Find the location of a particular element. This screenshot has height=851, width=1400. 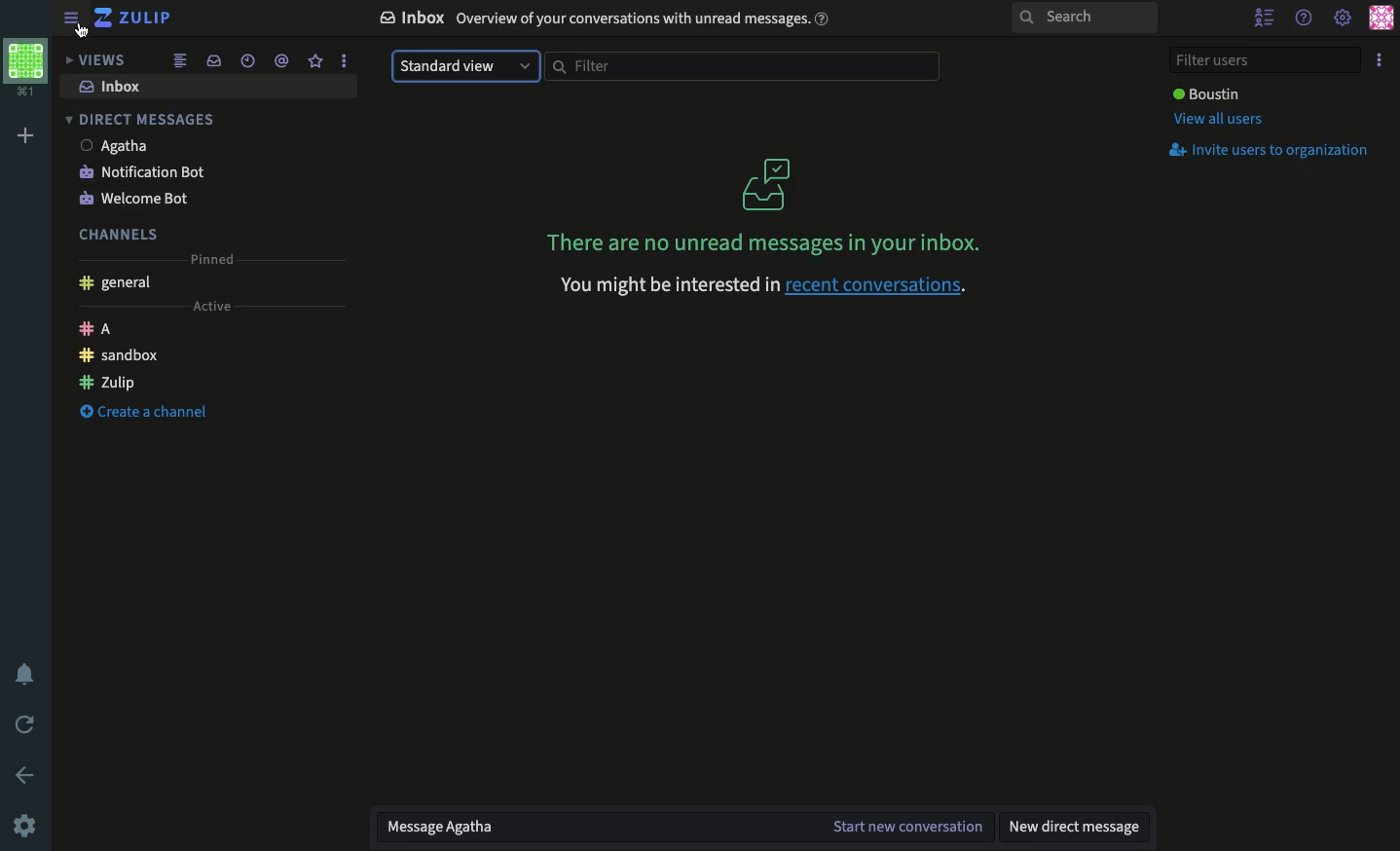

Inbox is located at coordinates (608, 20).